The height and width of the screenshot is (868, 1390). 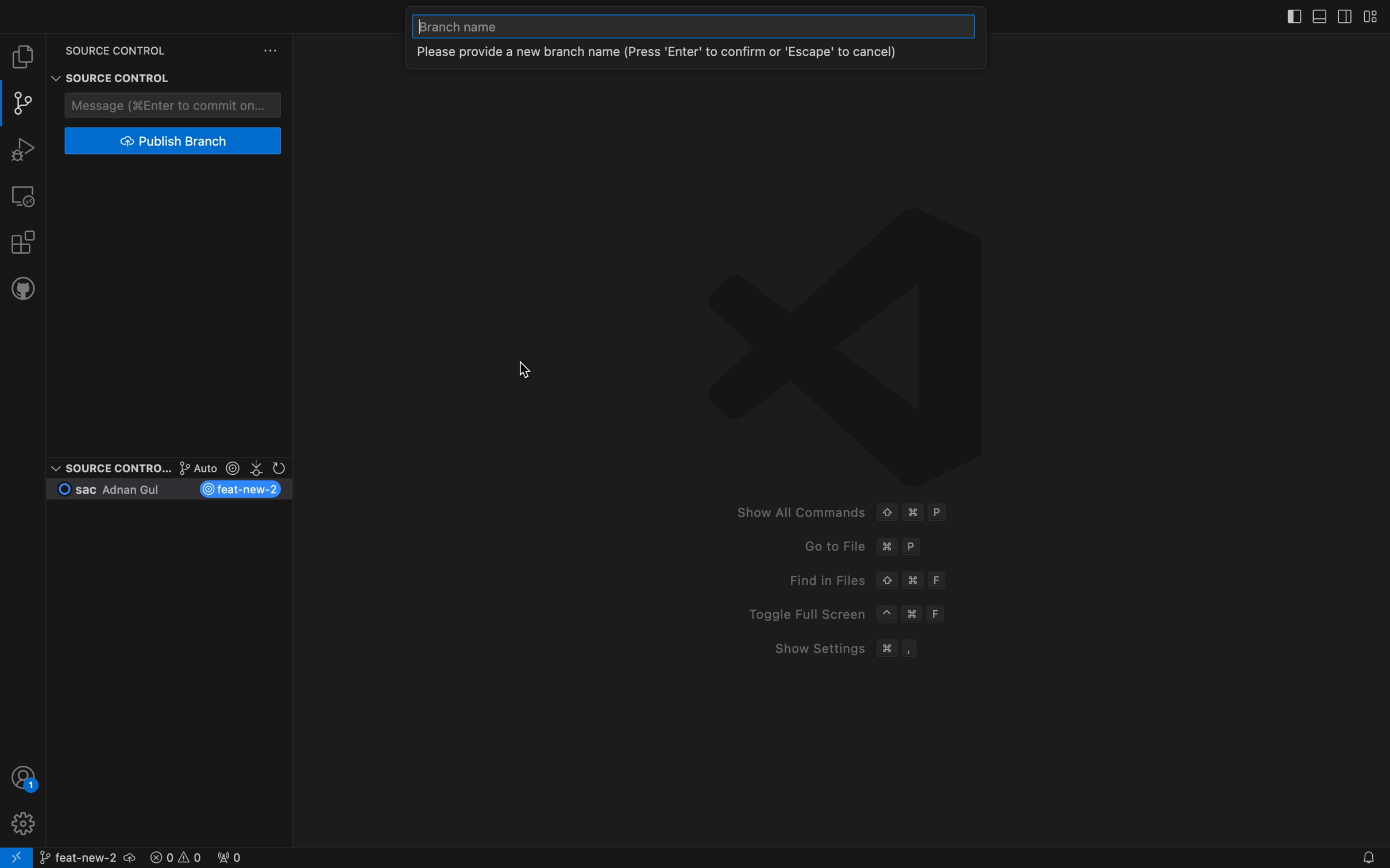 What do you see at coordinates (107, 467) in the screenshot?
I see `Source control` at bounding box center [107, 467].